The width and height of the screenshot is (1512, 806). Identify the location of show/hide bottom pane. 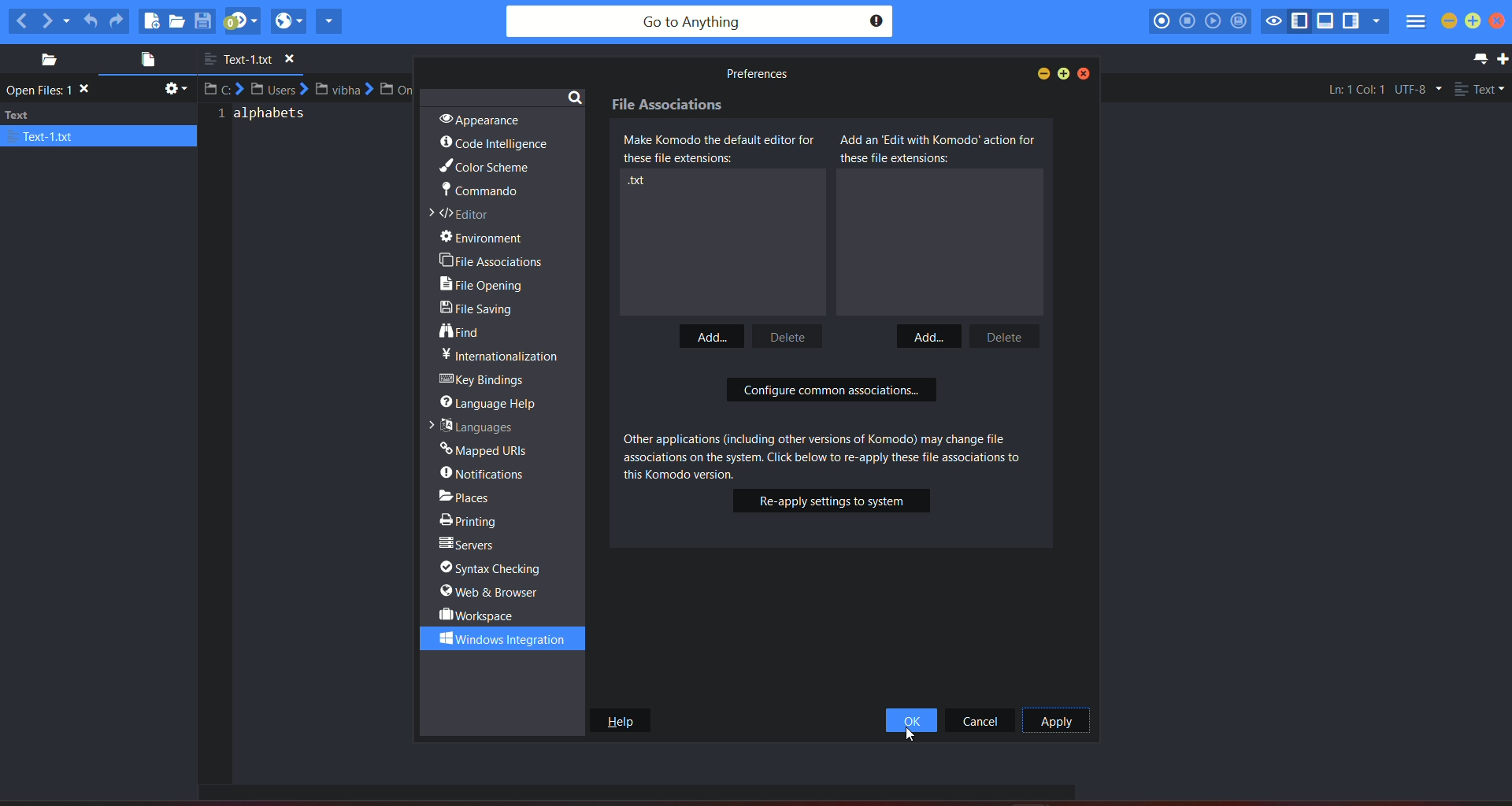
(1327, 23).